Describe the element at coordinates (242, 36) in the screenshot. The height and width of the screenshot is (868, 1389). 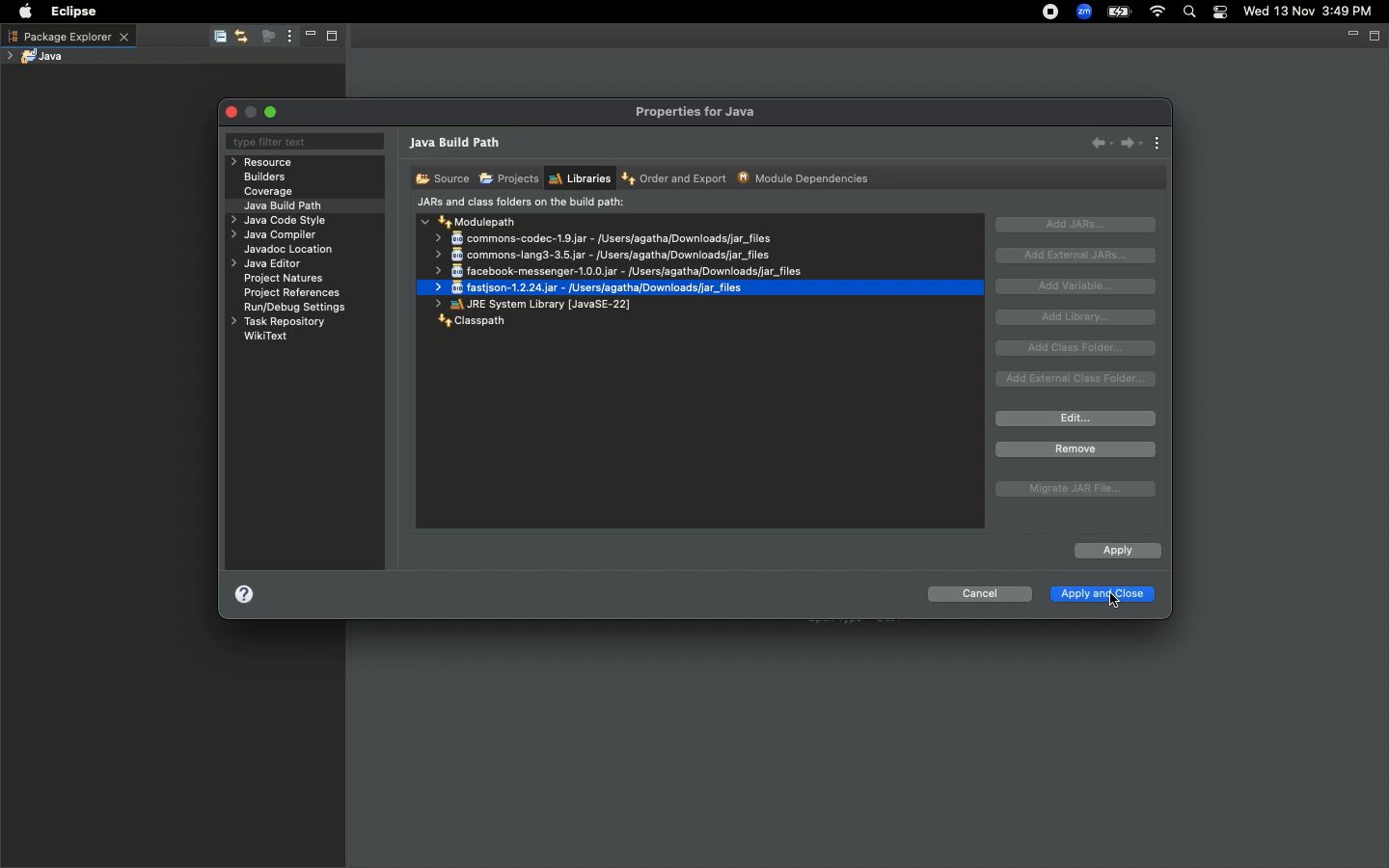
I see `Link with editor` at that location.